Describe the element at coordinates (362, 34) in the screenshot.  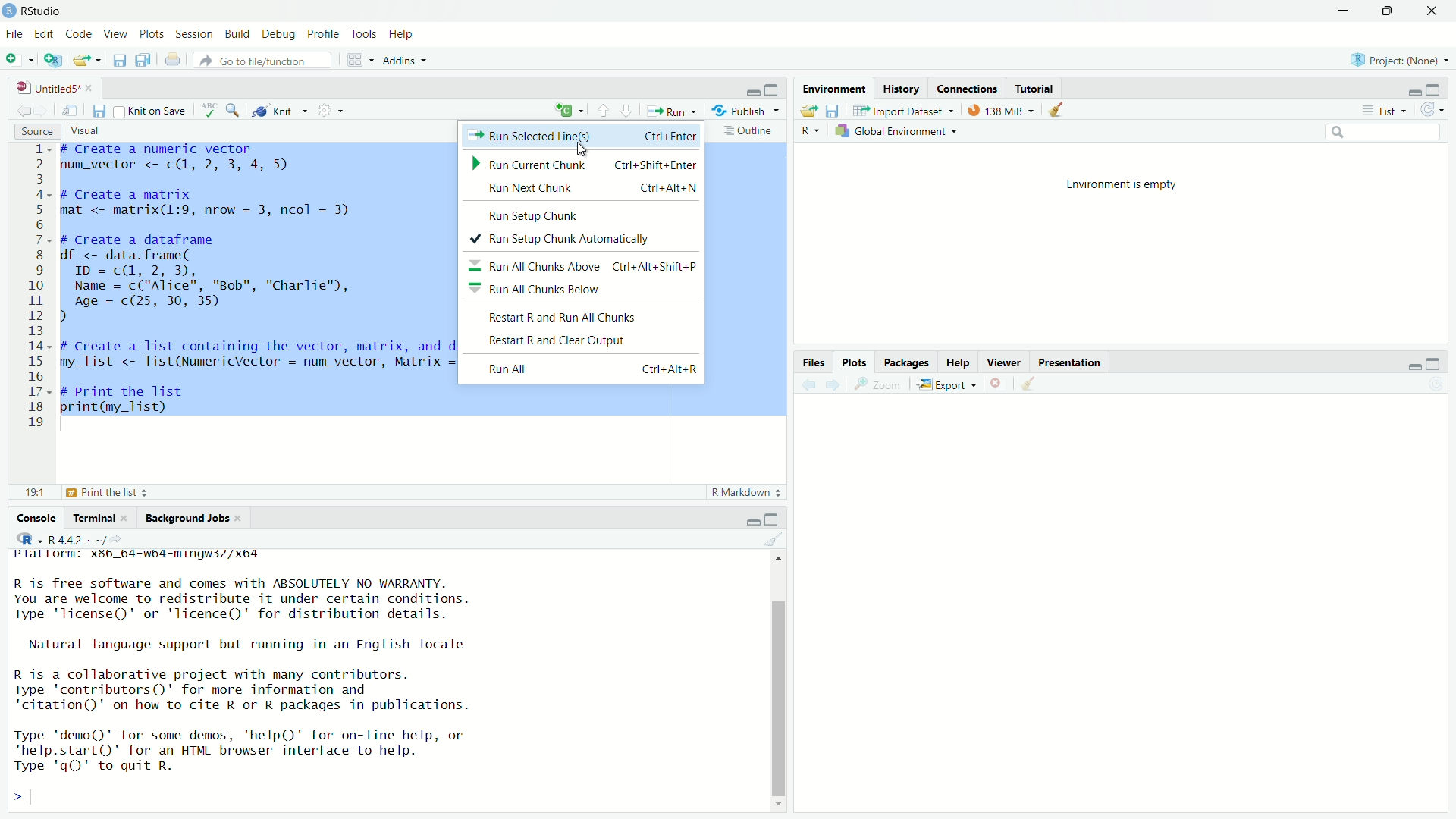
I see `Tools` at that location.